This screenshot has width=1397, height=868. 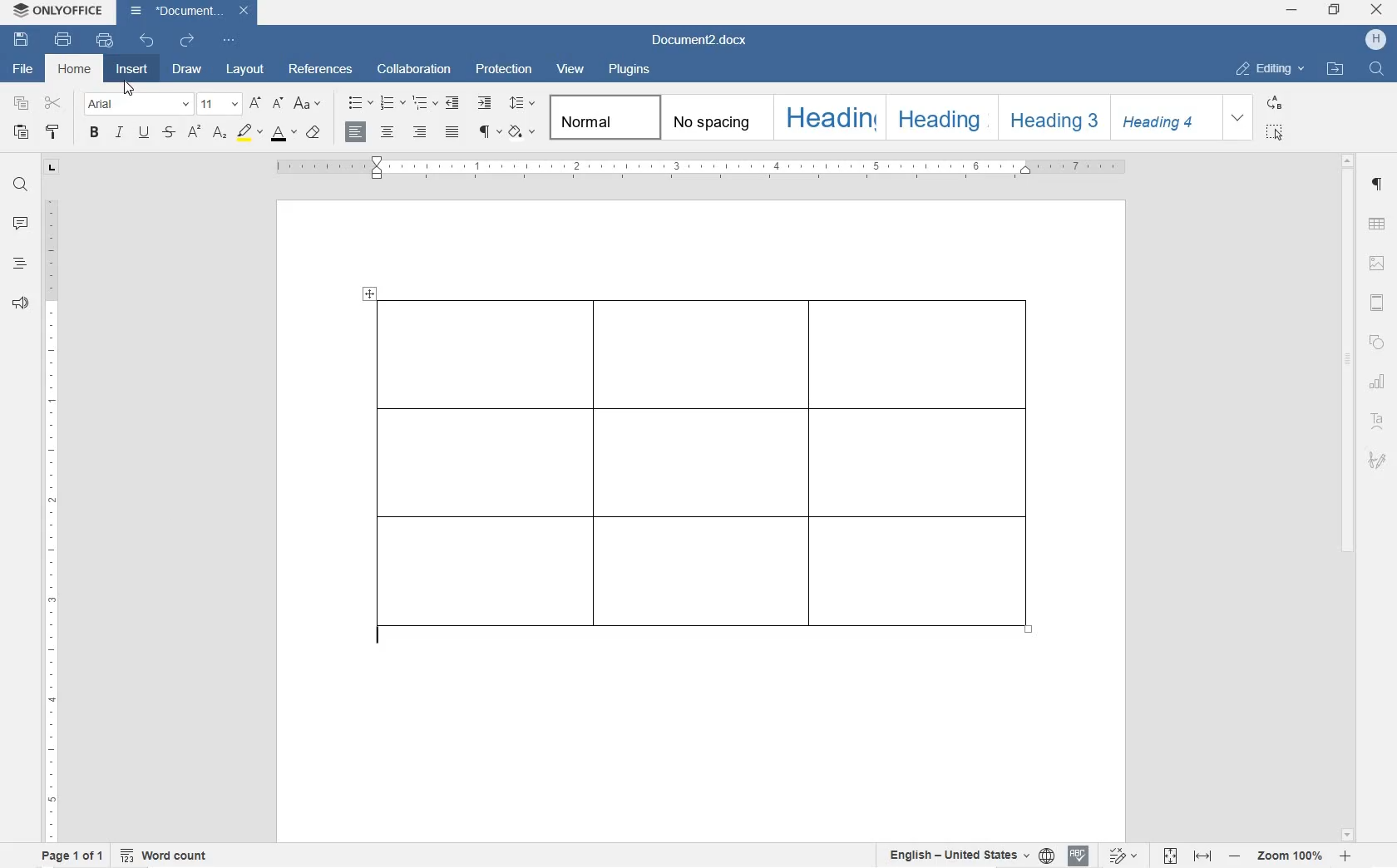 I want to click on ONLYOFFICE, so click(x=61, y=11).